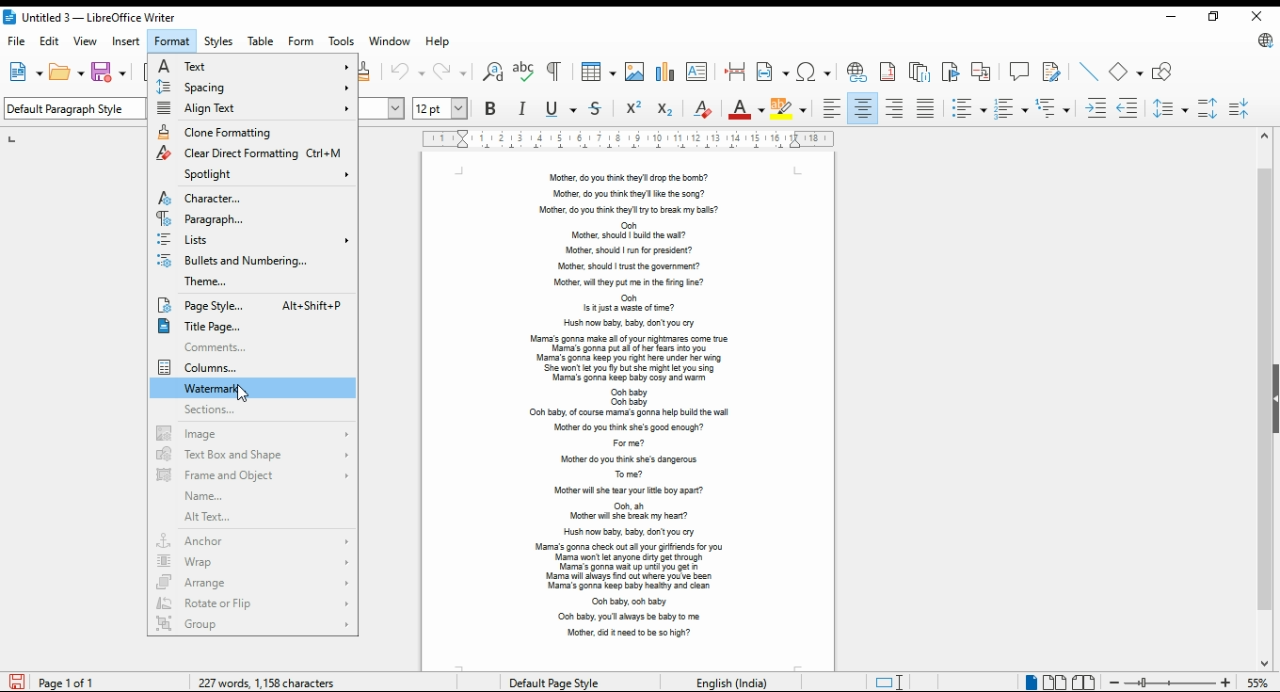  I want to click on frame and object, so click(252, 476).